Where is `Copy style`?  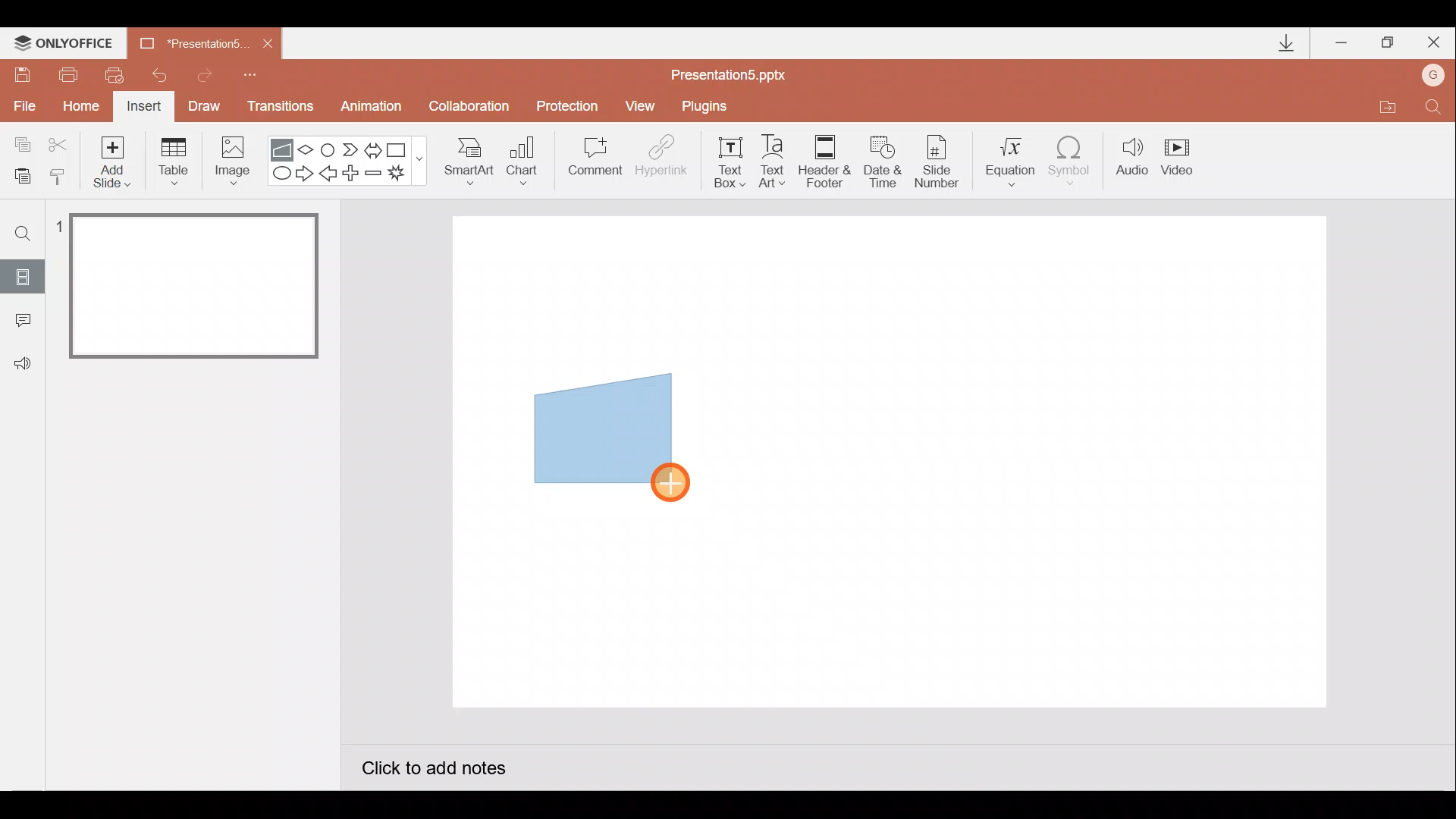 Copy style is located at coordinates (59, 174).